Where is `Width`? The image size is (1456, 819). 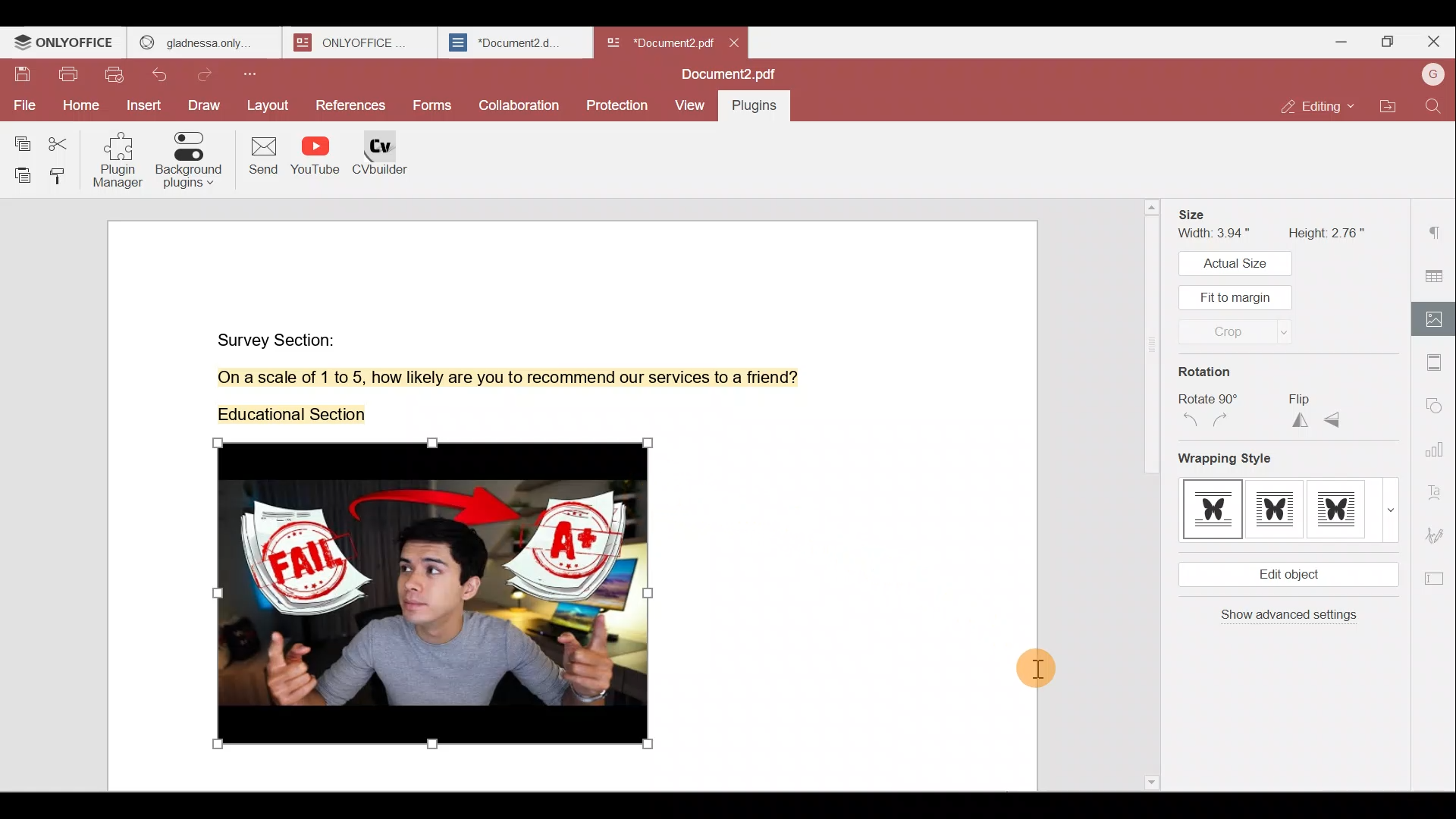 Width is located at coordinates (1210, 235).